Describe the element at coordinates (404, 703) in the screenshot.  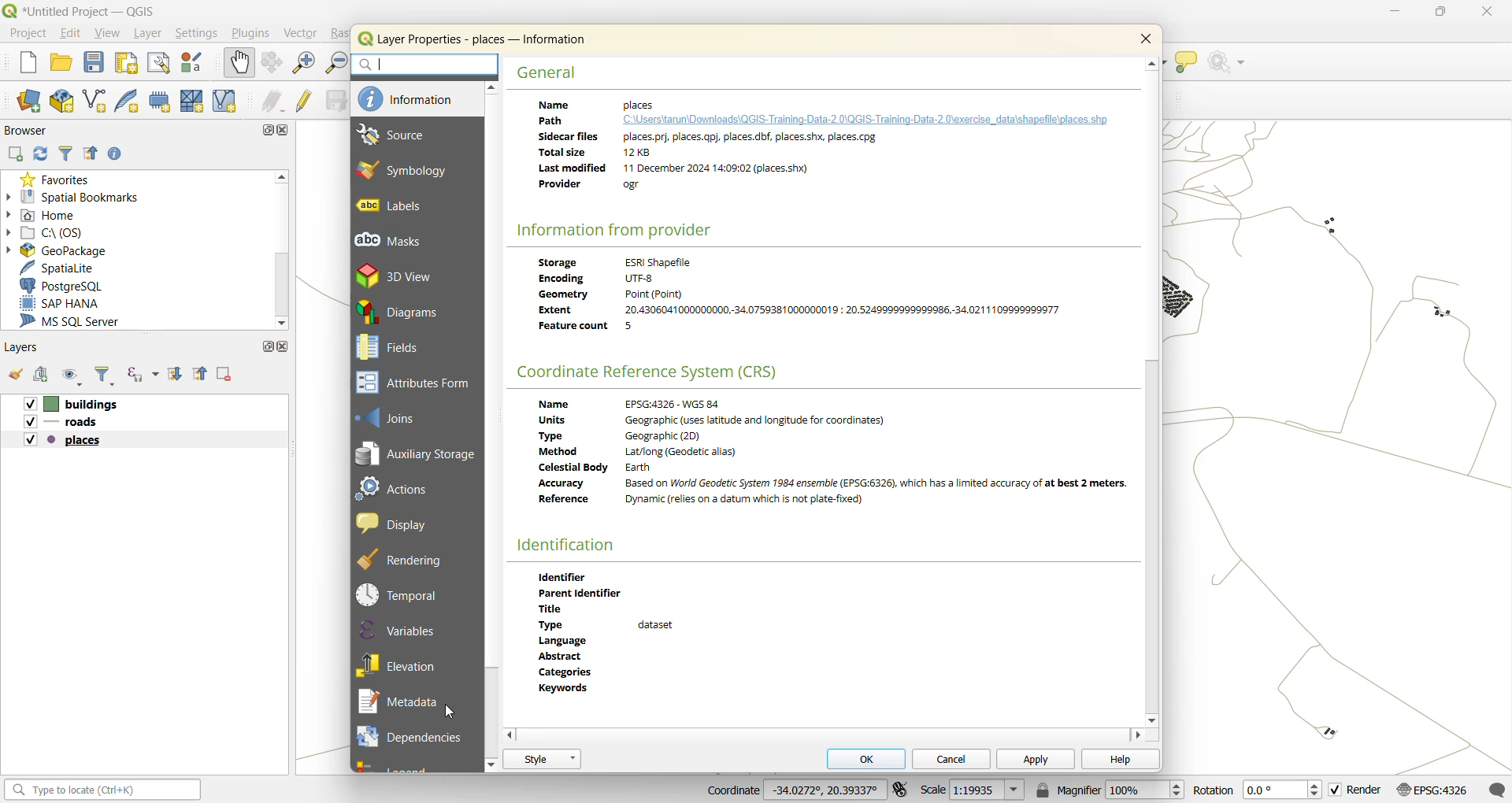
I see `metadata` at that location.